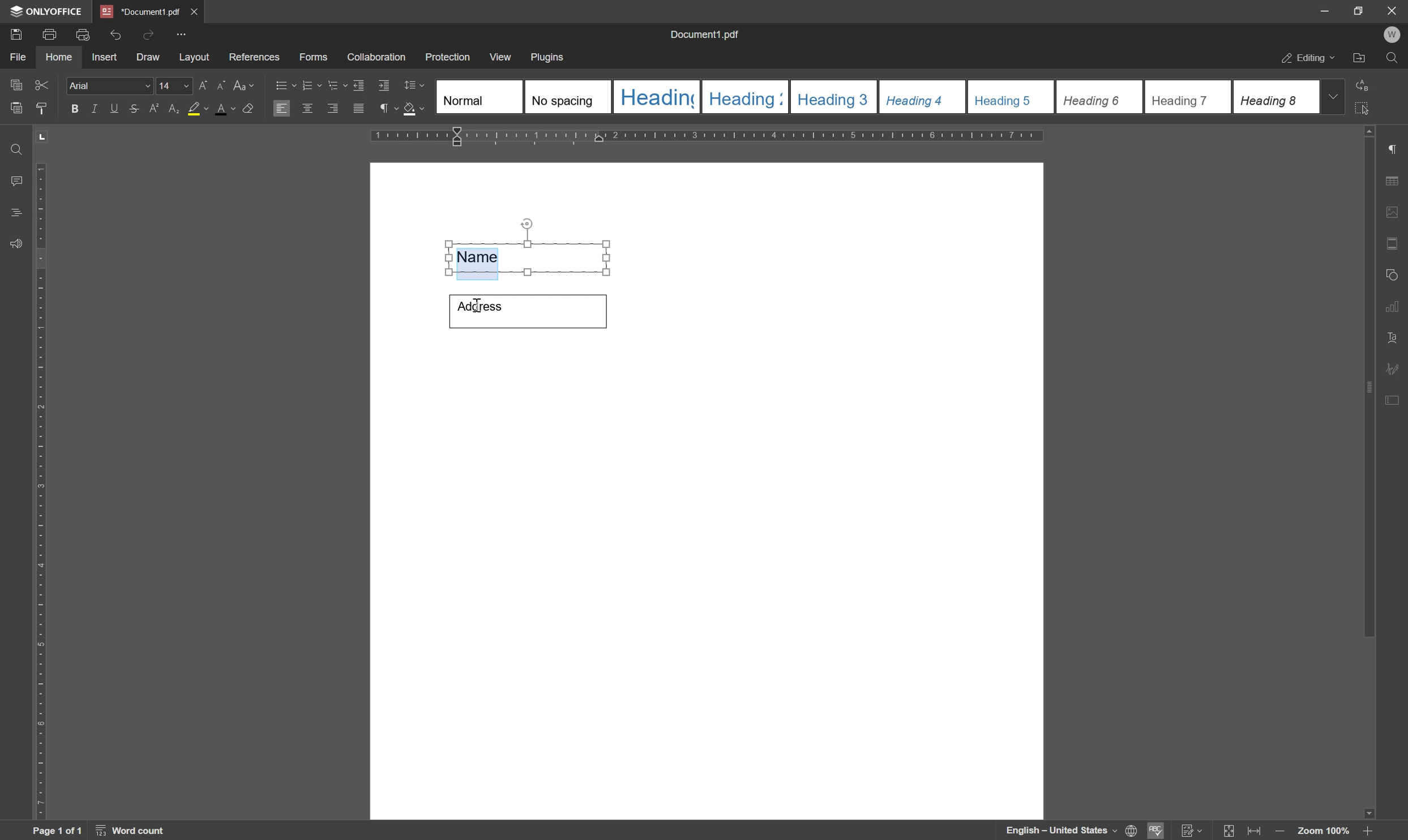 The width and height of the screenshot is (1408, 840). What do you see at coordinates (282, 109) in the screenshot?
I see `Align left` at bounding box center [282, 109].